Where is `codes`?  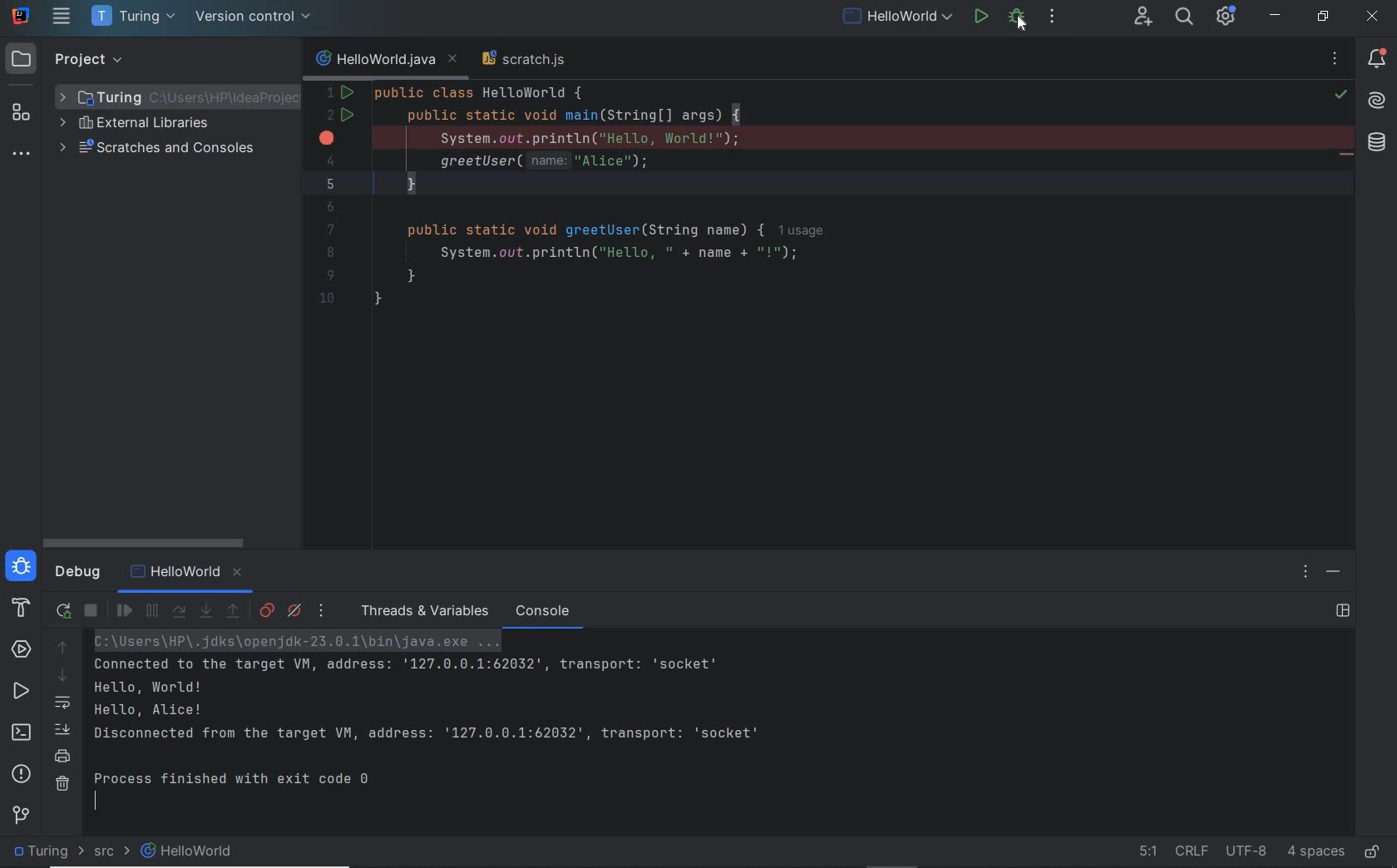
codes is located at coordinates (792, 205).